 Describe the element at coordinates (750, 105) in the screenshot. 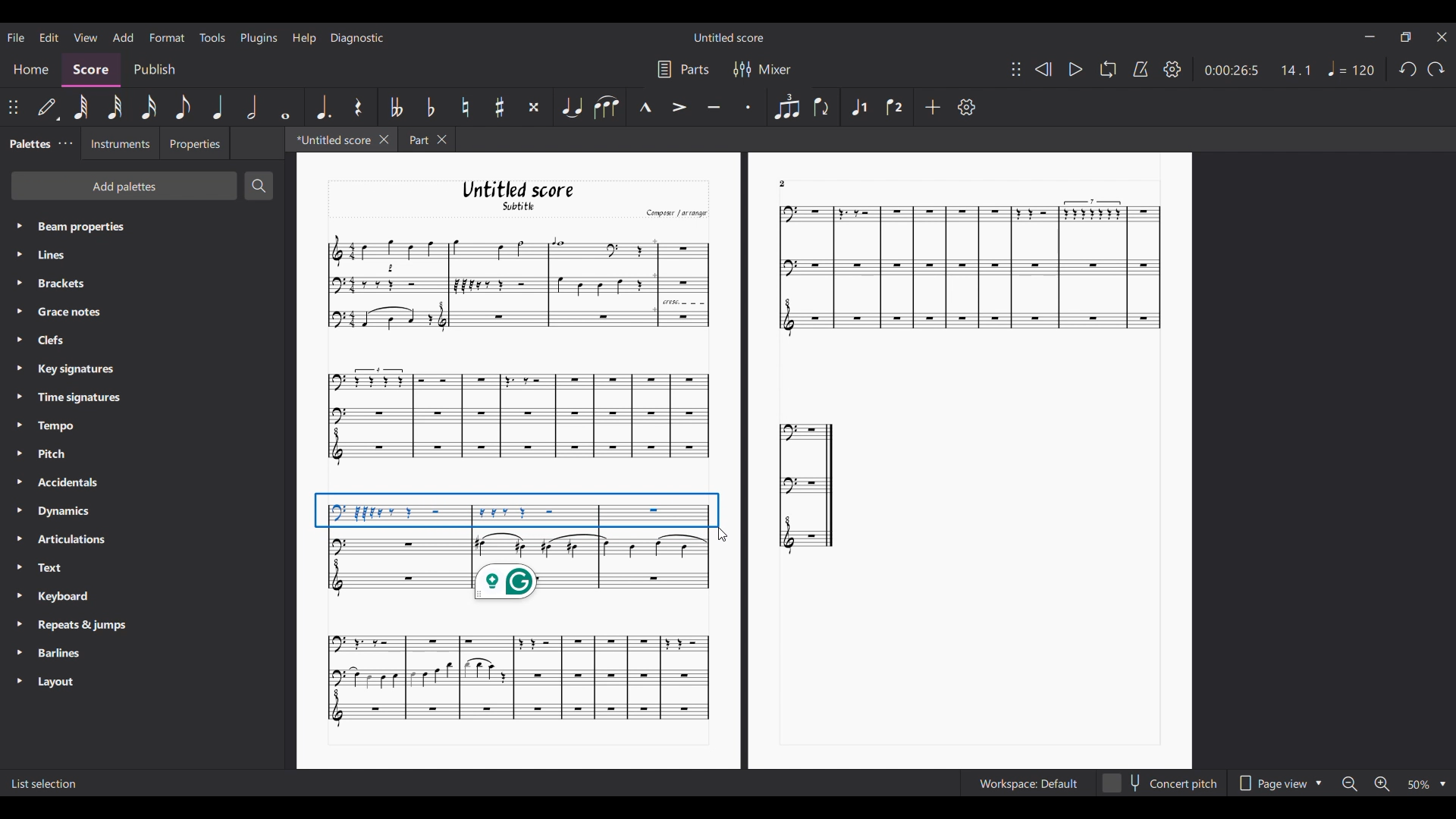

I see `Staccato ` at that location.